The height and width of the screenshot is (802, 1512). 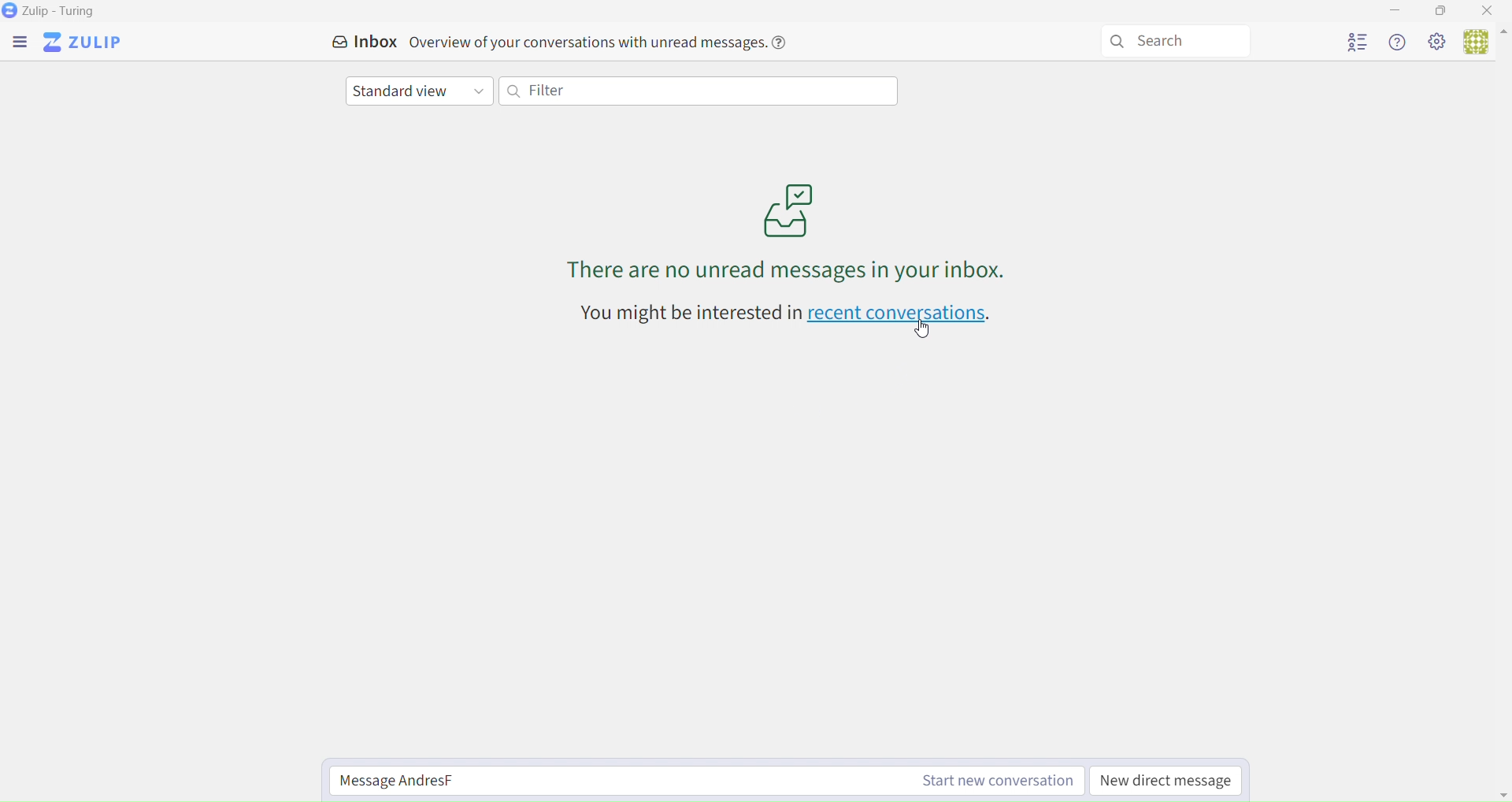 What do you see at coordinates (787, 310) in the screenshot?
I see `You might be interested in recent conversations.` at bounding box center [787, 310].